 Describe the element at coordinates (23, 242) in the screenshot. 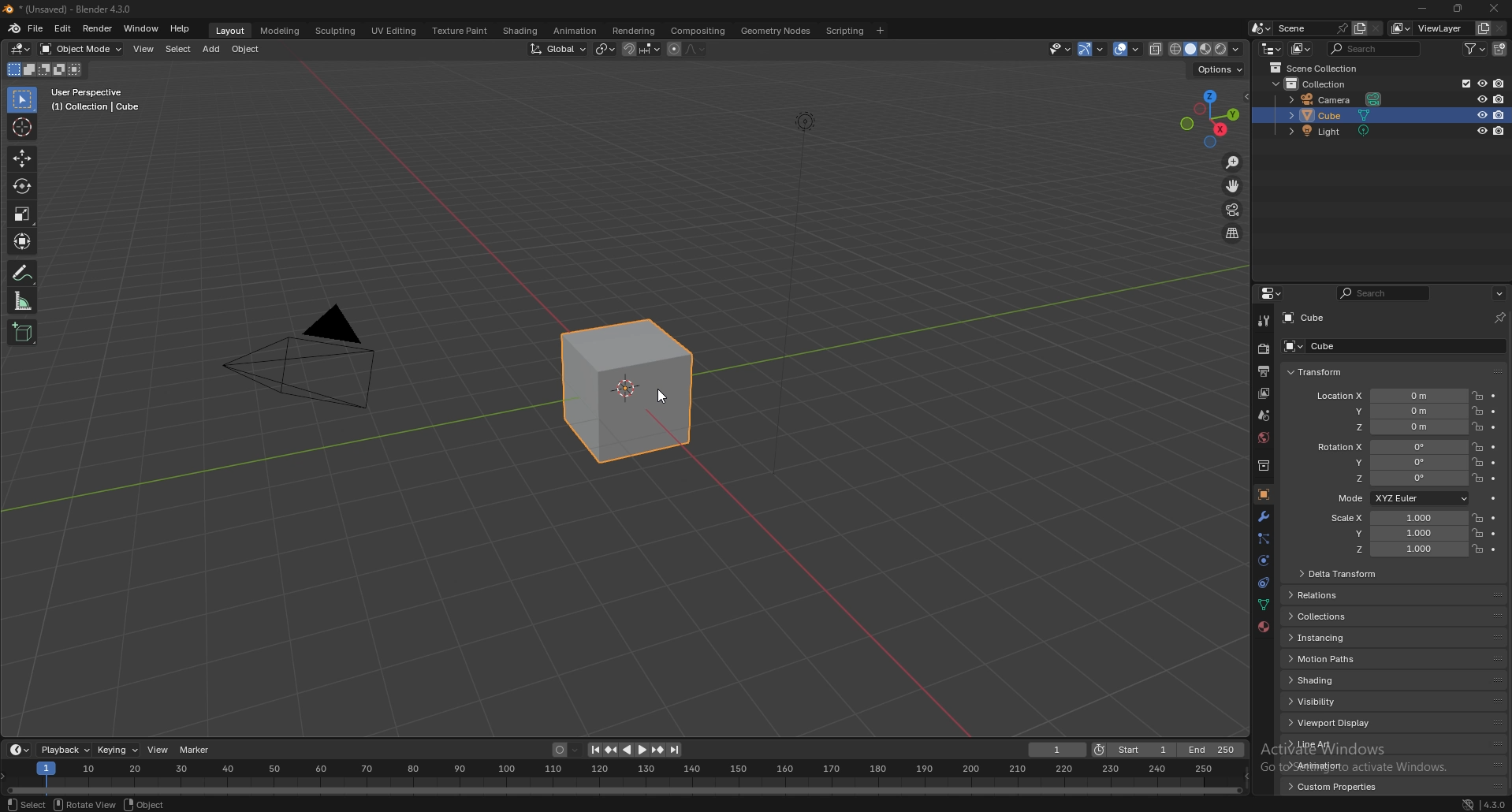

I see `transform` at that location.